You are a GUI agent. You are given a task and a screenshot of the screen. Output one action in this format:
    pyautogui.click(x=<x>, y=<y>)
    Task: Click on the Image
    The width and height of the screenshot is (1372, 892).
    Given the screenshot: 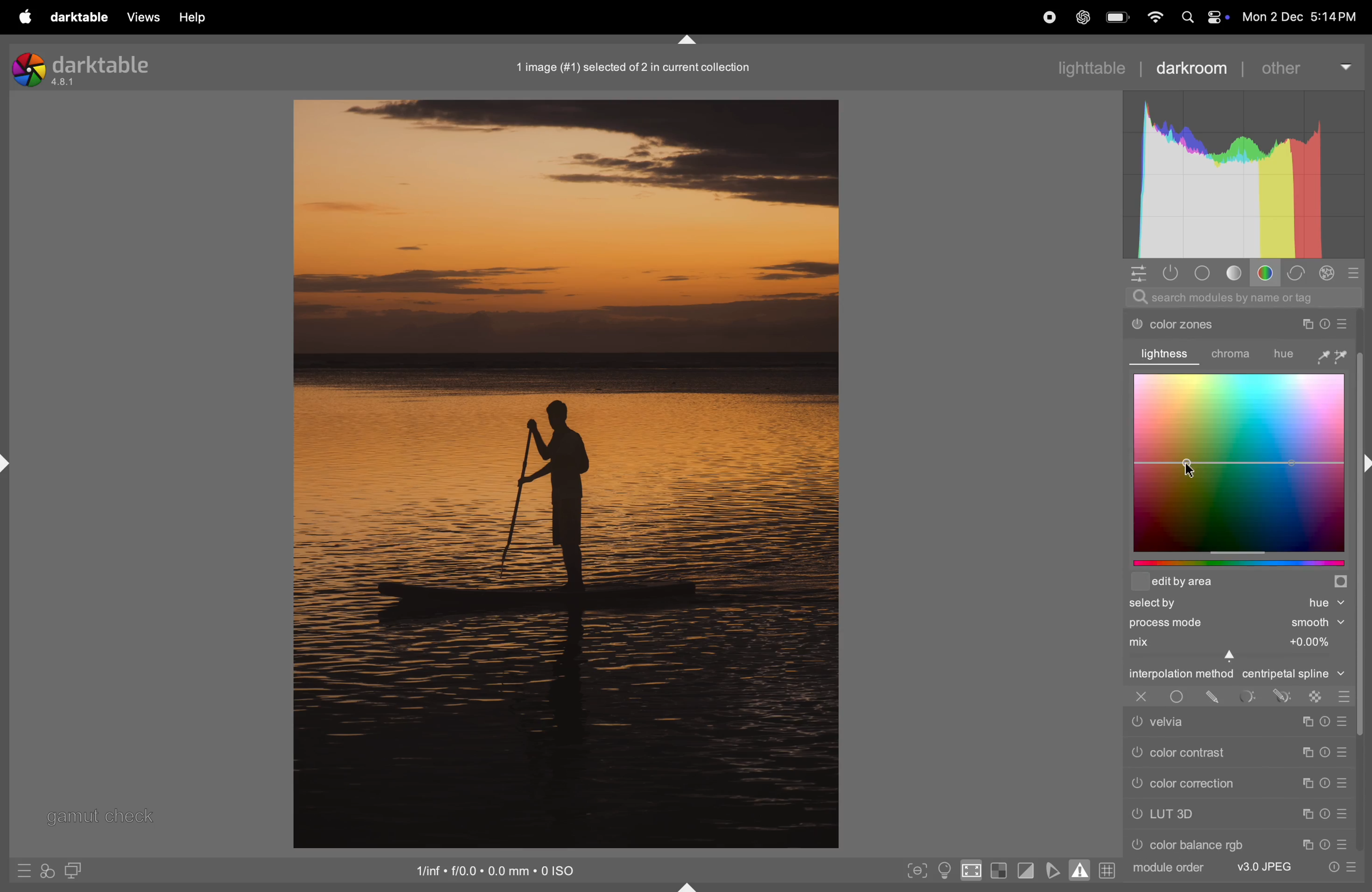 What is the action you would take?
    pyautogui.click(x=564, y=473)
    